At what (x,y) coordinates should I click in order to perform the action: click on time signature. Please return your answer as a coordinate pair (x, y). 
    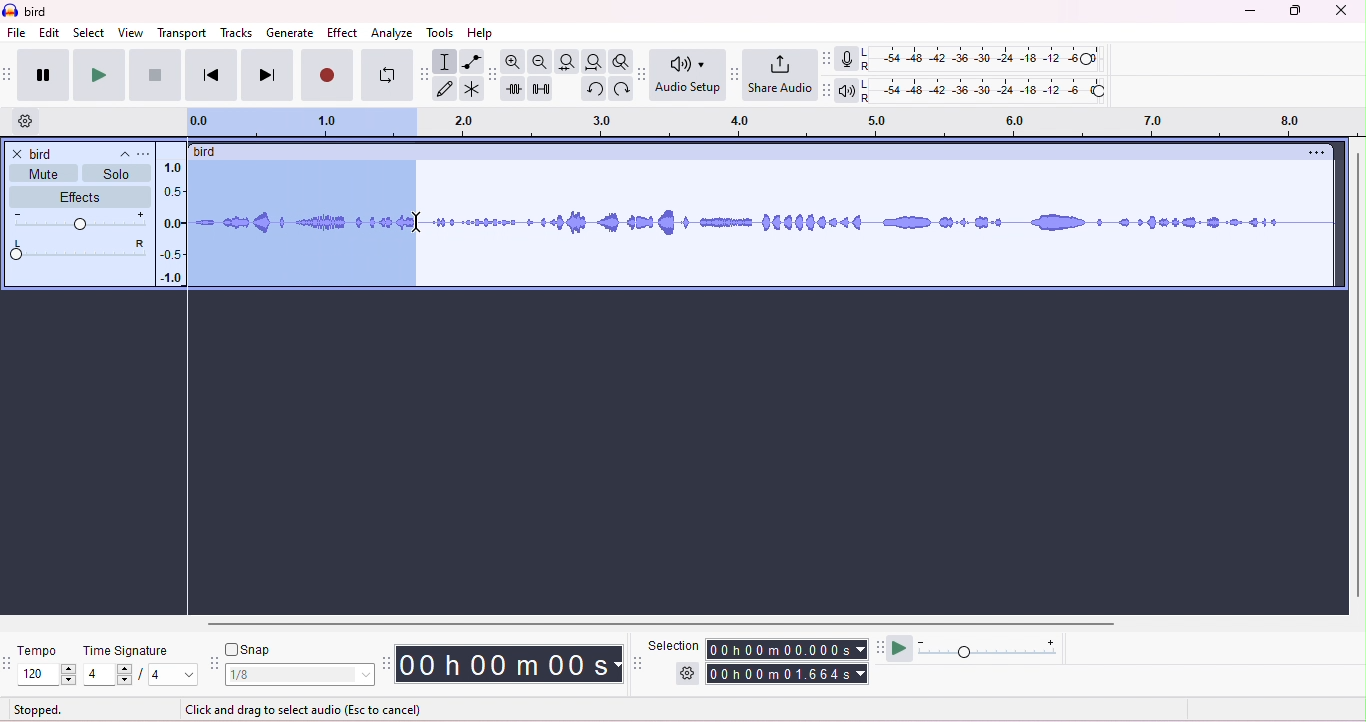
    Looking at the image, I should click on (129, 650).